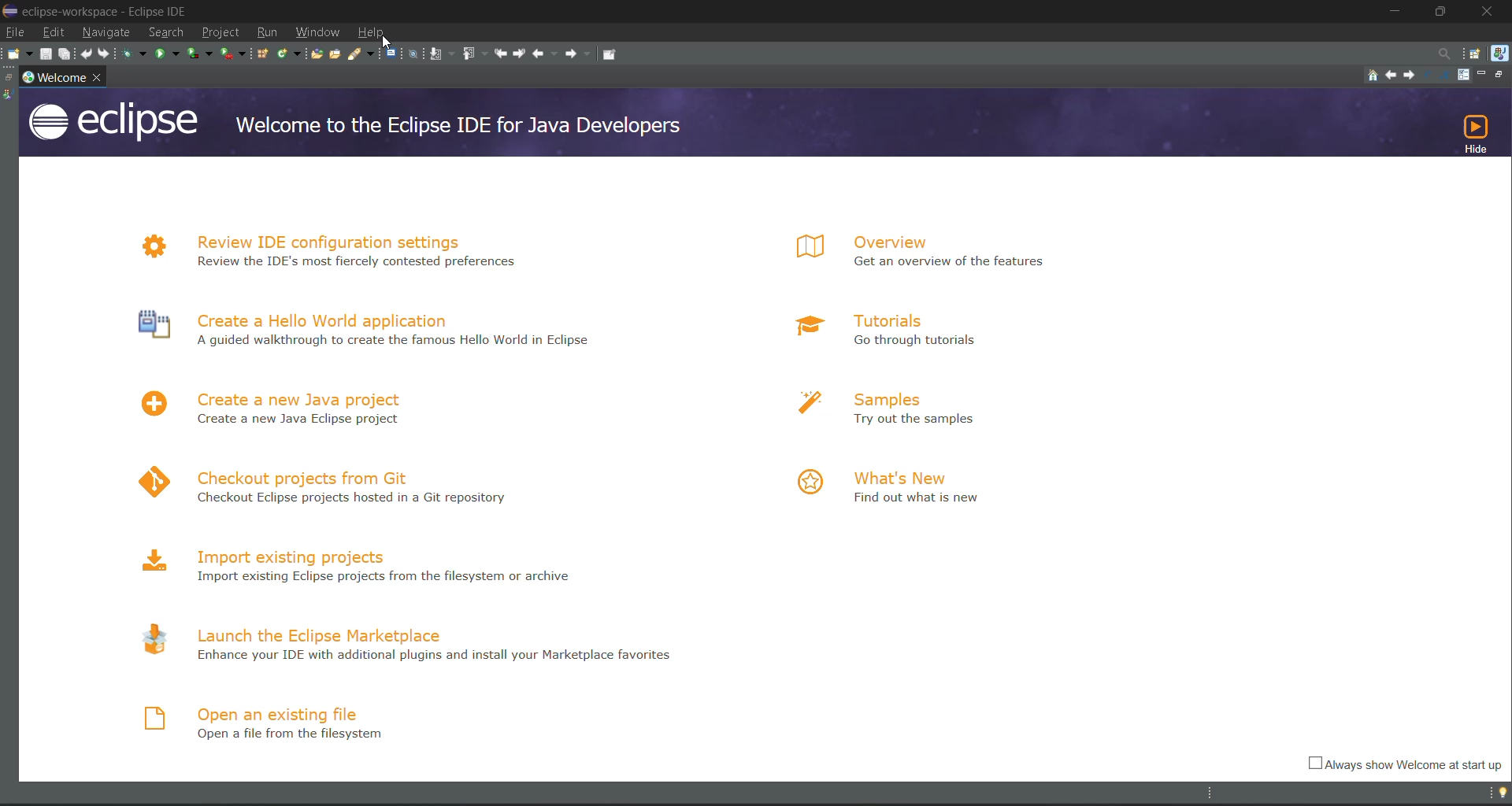  What do you see at coordinates (168, 32) in the screenshot?
I see `search` at bounding box center [168, 32].